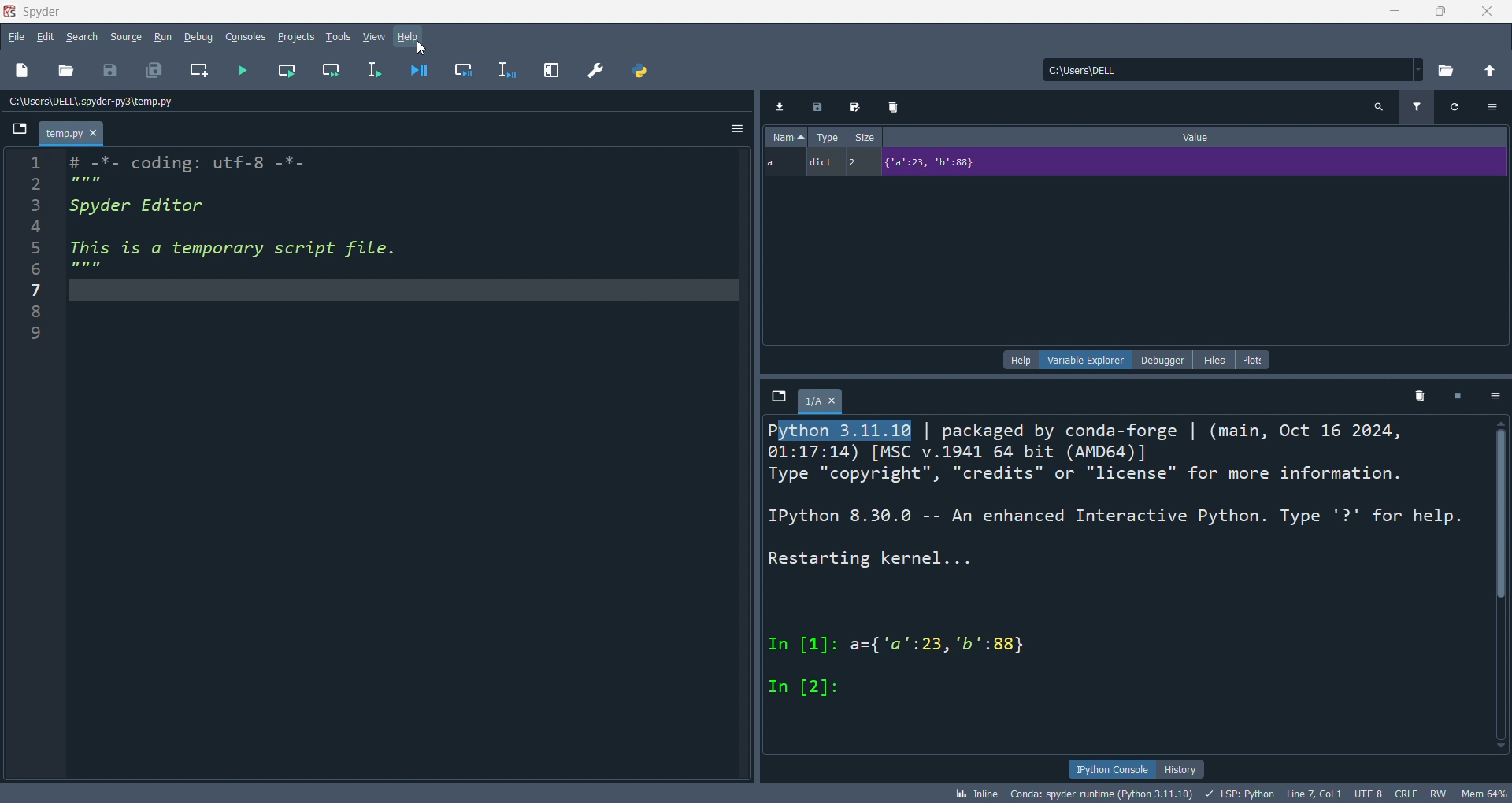  What do you see at coordinates (1492, 107) in the screenshot?
I see `Settings` at bounding box center [1492, 107].